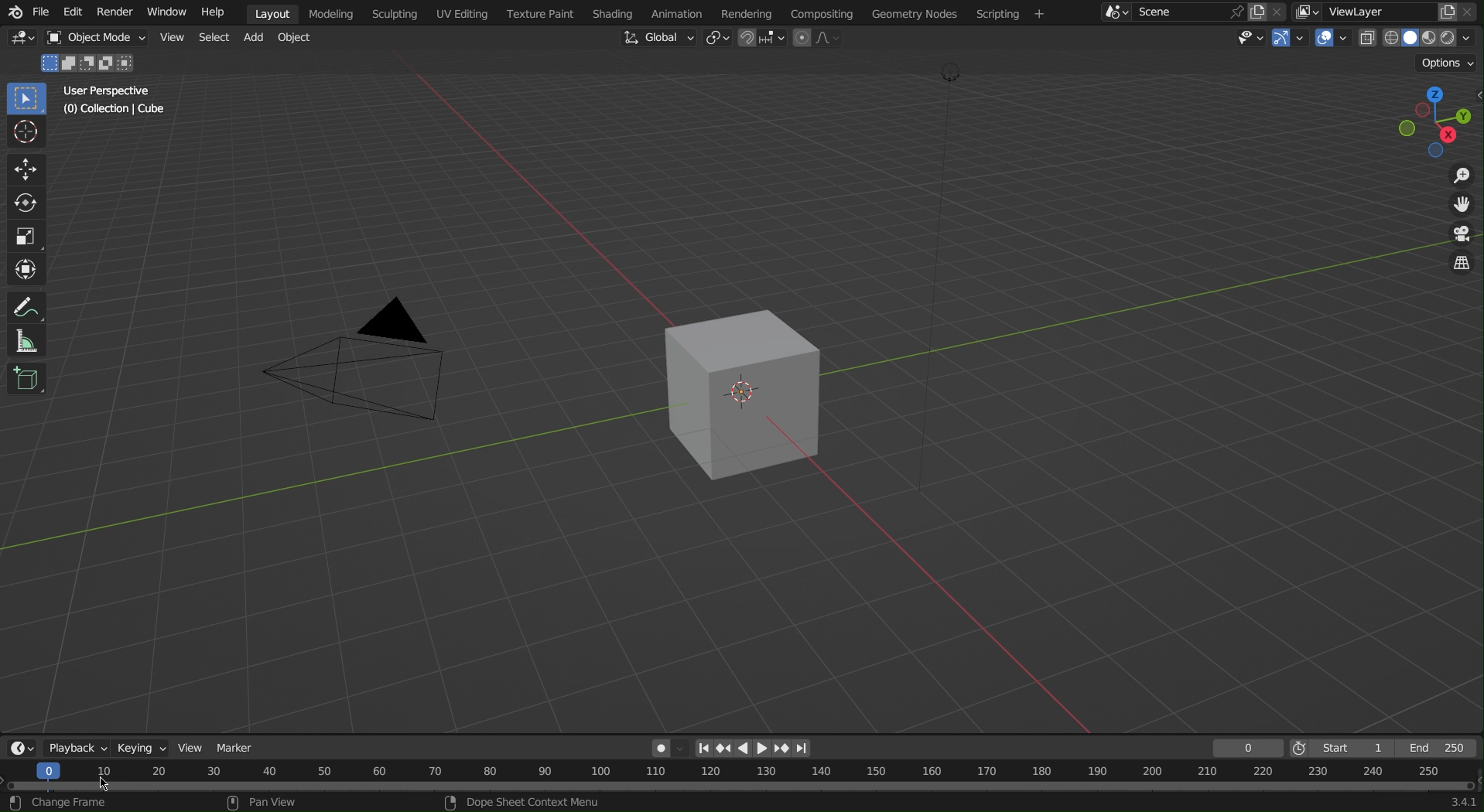 This screenshot has height=812, width=1484. I want to click on Close, so click(1278, 12).